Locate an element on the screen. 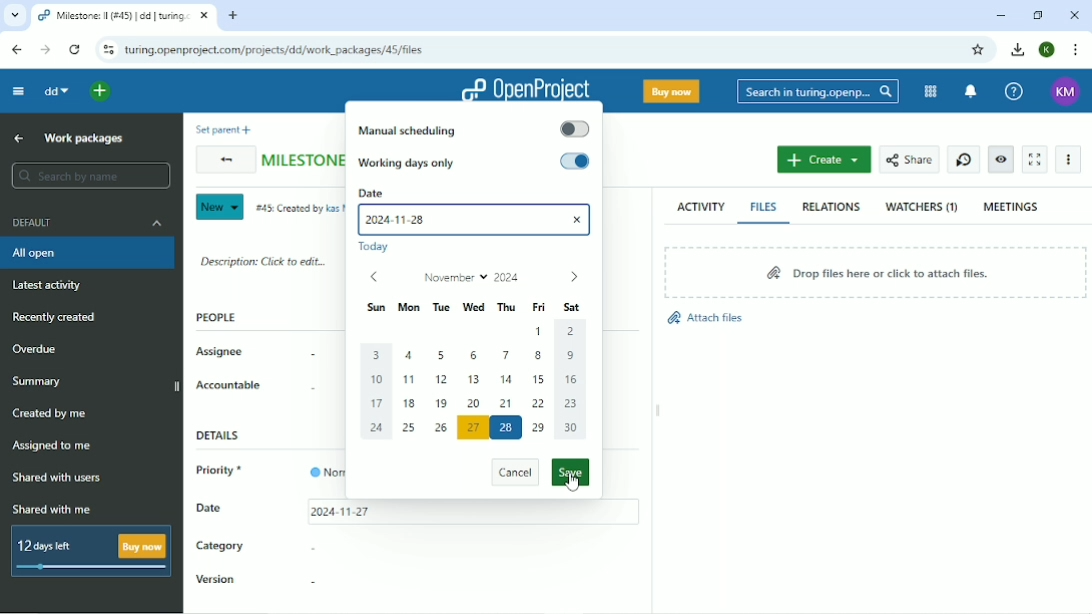  Cursor is located at coordinates (573, 486).